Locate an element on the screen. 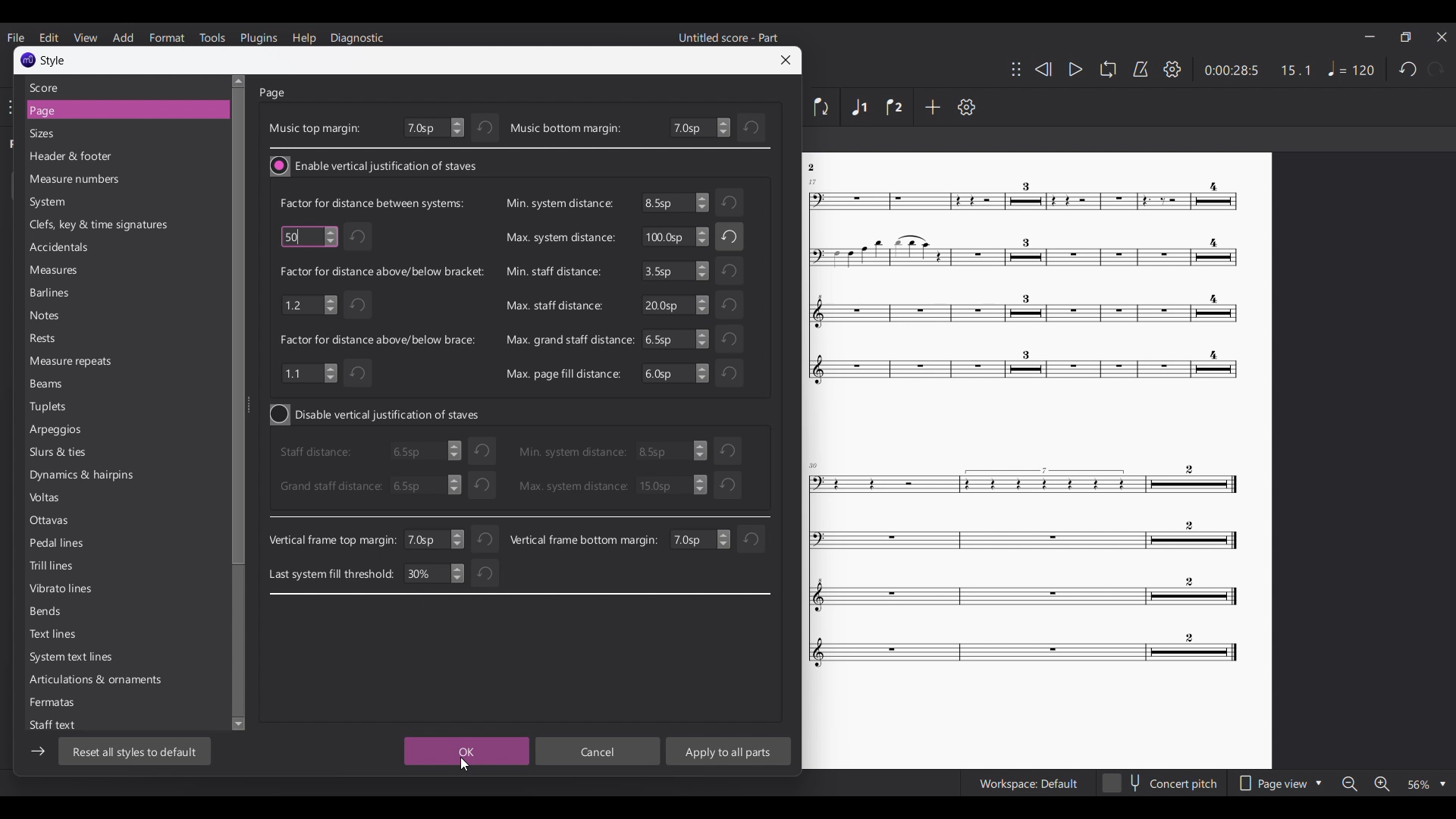 The height and width of the screenshot is (819, 1456). 6.5sp is located at coordinates (673, 374).